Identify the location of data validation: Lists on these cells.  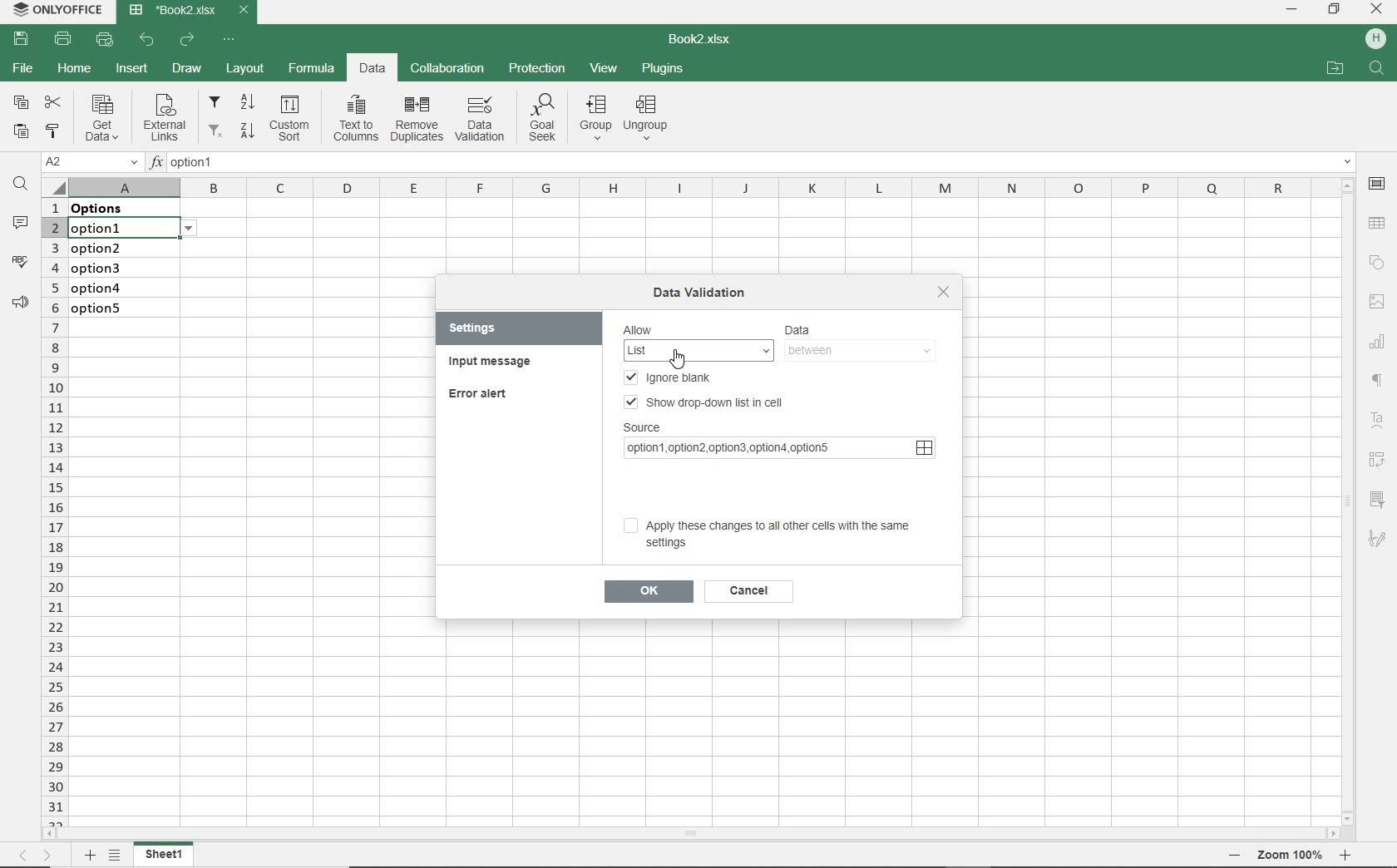
(136, 282).